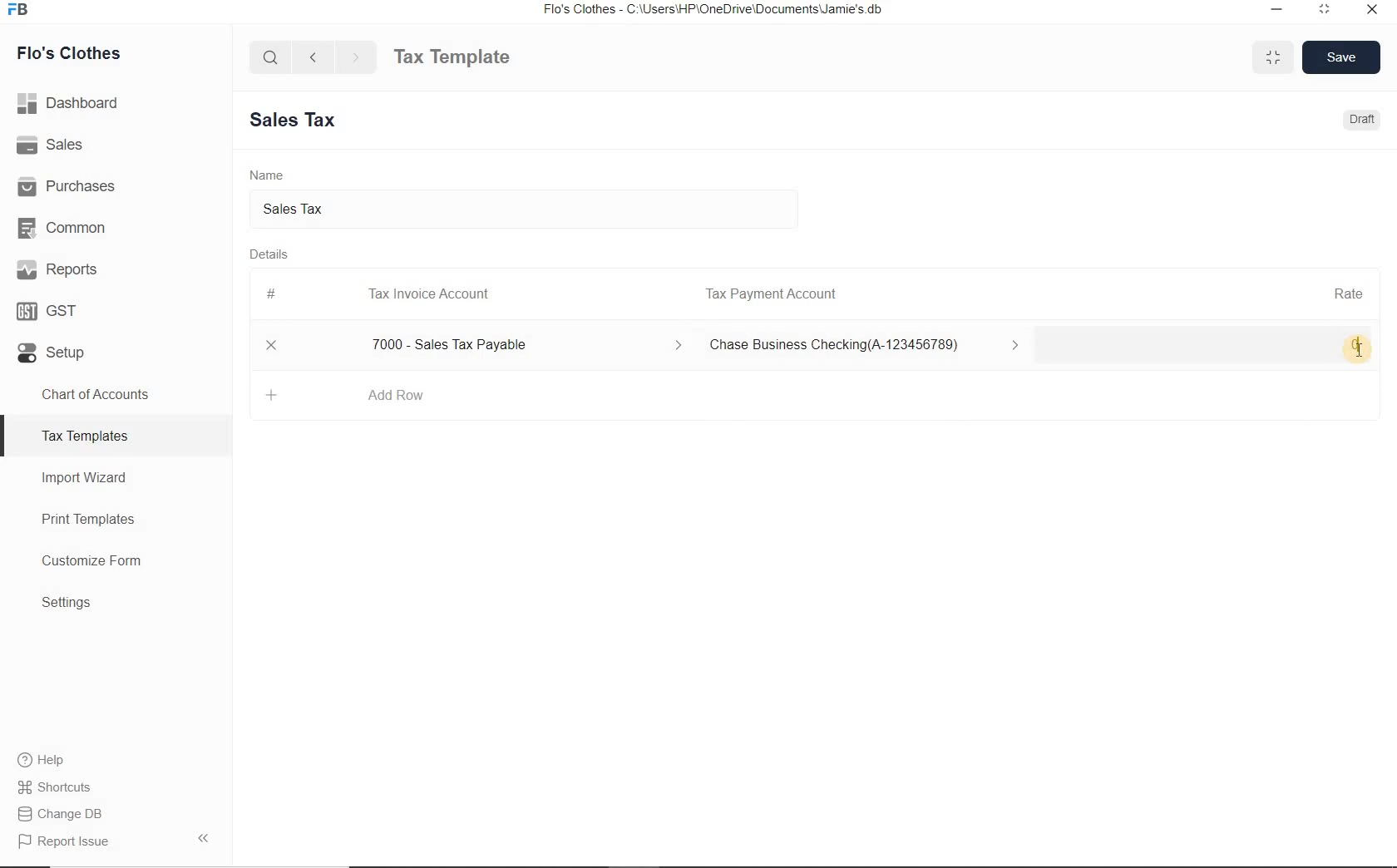 This screenshot has height=868, width=1397. What do you see at coordinates (1273, 57) in the screenshot?
I see `Maximize` at bounding box center [1273, 57].